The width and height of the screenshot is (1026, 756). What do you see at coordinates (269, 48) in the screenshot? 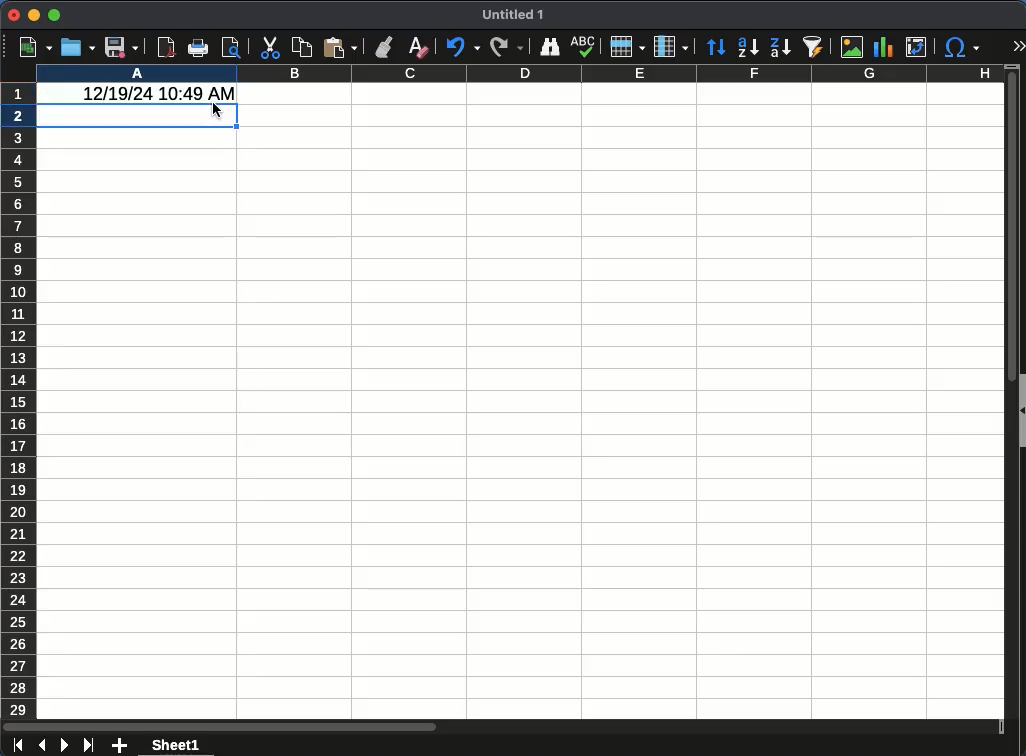
I see `cut` at bounding box center [269, 48].